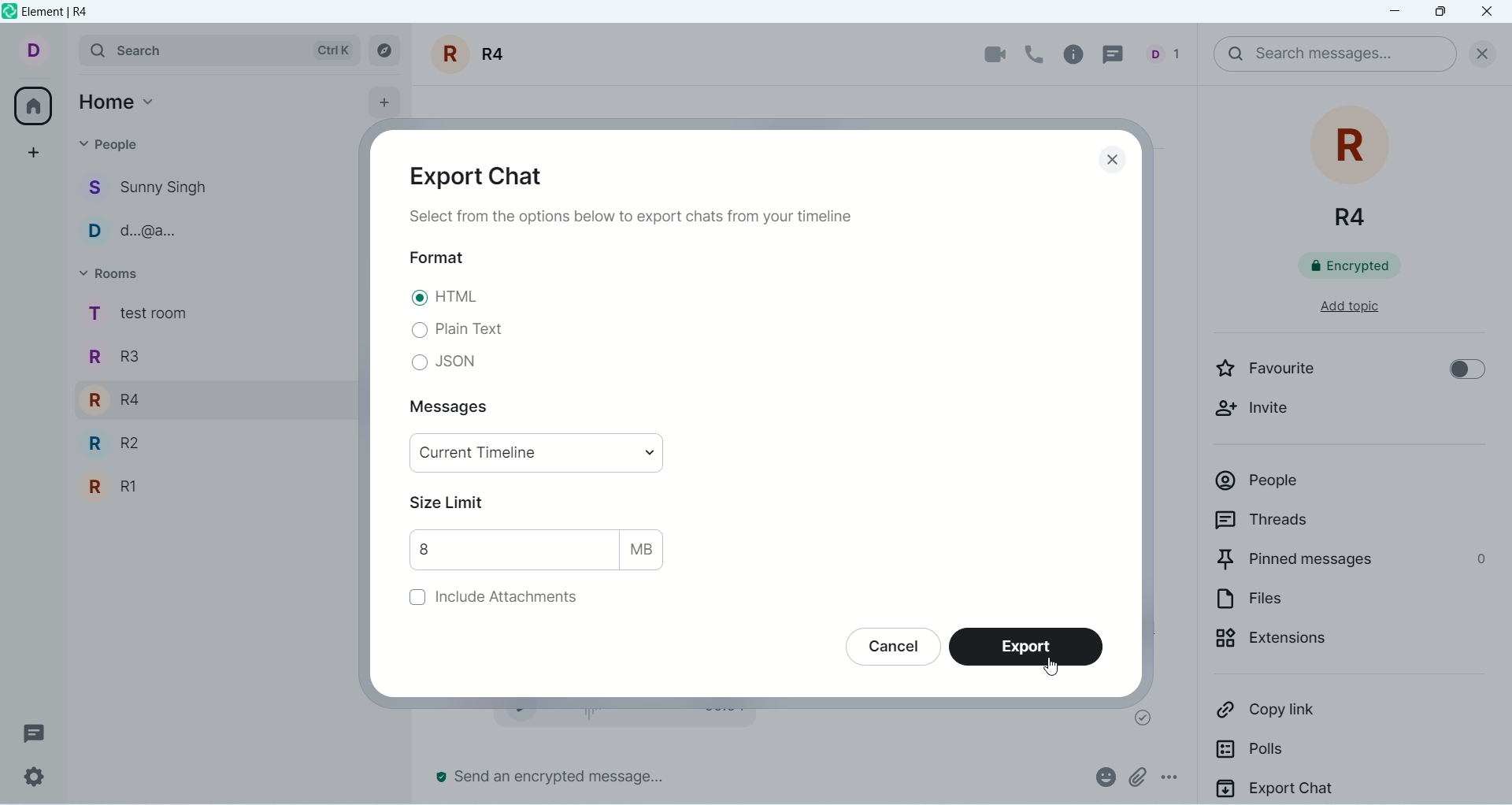 The width and height of the screenshot is (1512, 805). What do you see at coordinates (150, 210) in the screenshot?
I see `people` at bounding box center [150, 210].